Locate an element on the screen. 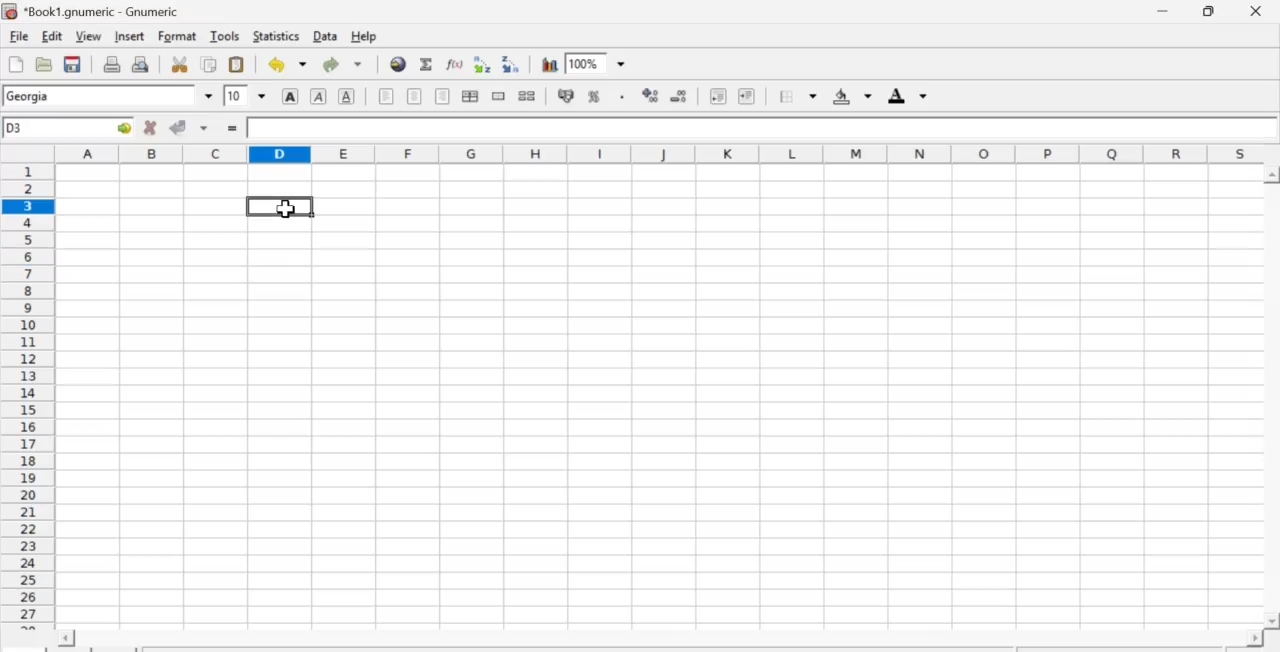 The height and width of the screenshot is (652, 1280). down is located at coordinates (205, 127).